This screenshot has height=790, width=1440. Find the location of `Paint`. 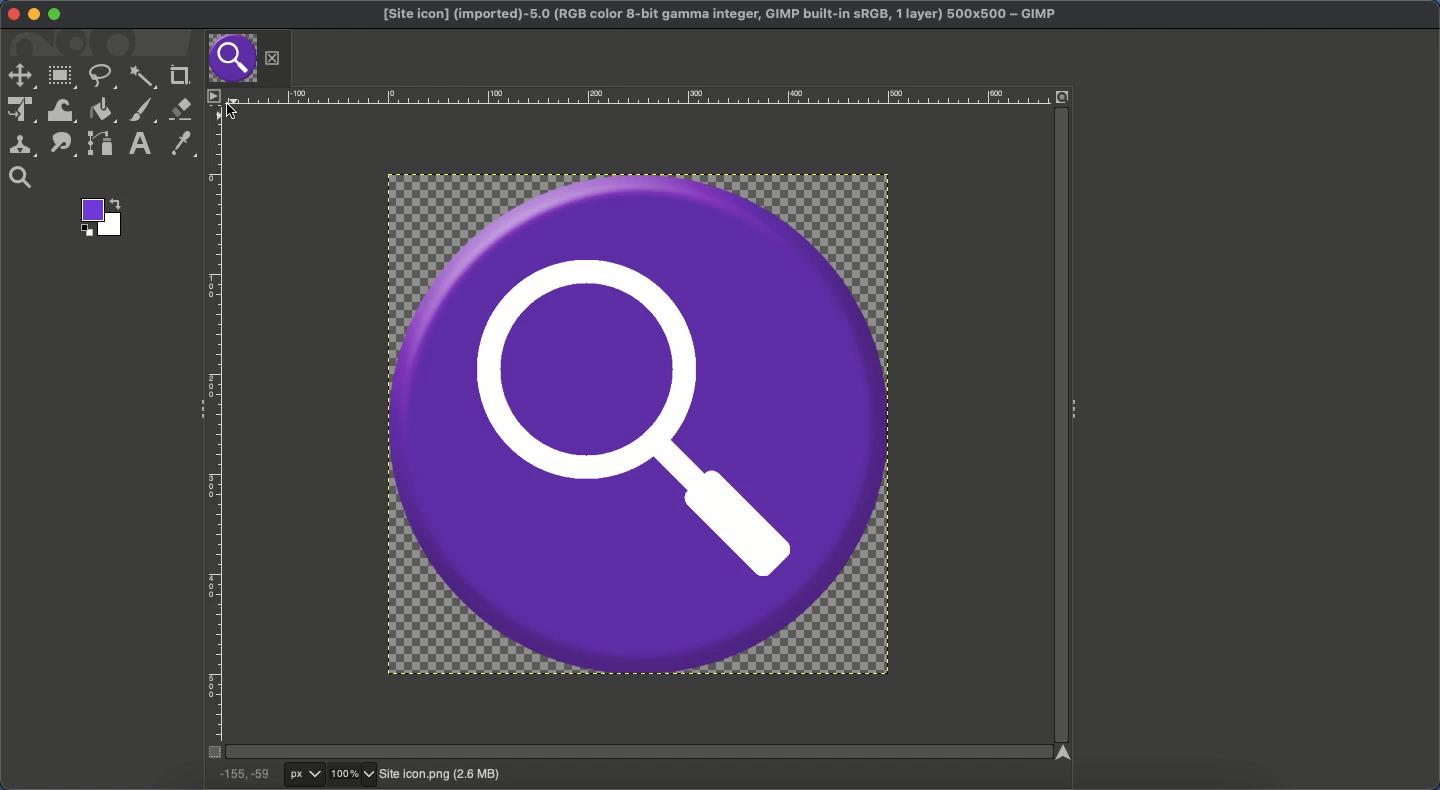

Paint is located at coordinates (140, 111).